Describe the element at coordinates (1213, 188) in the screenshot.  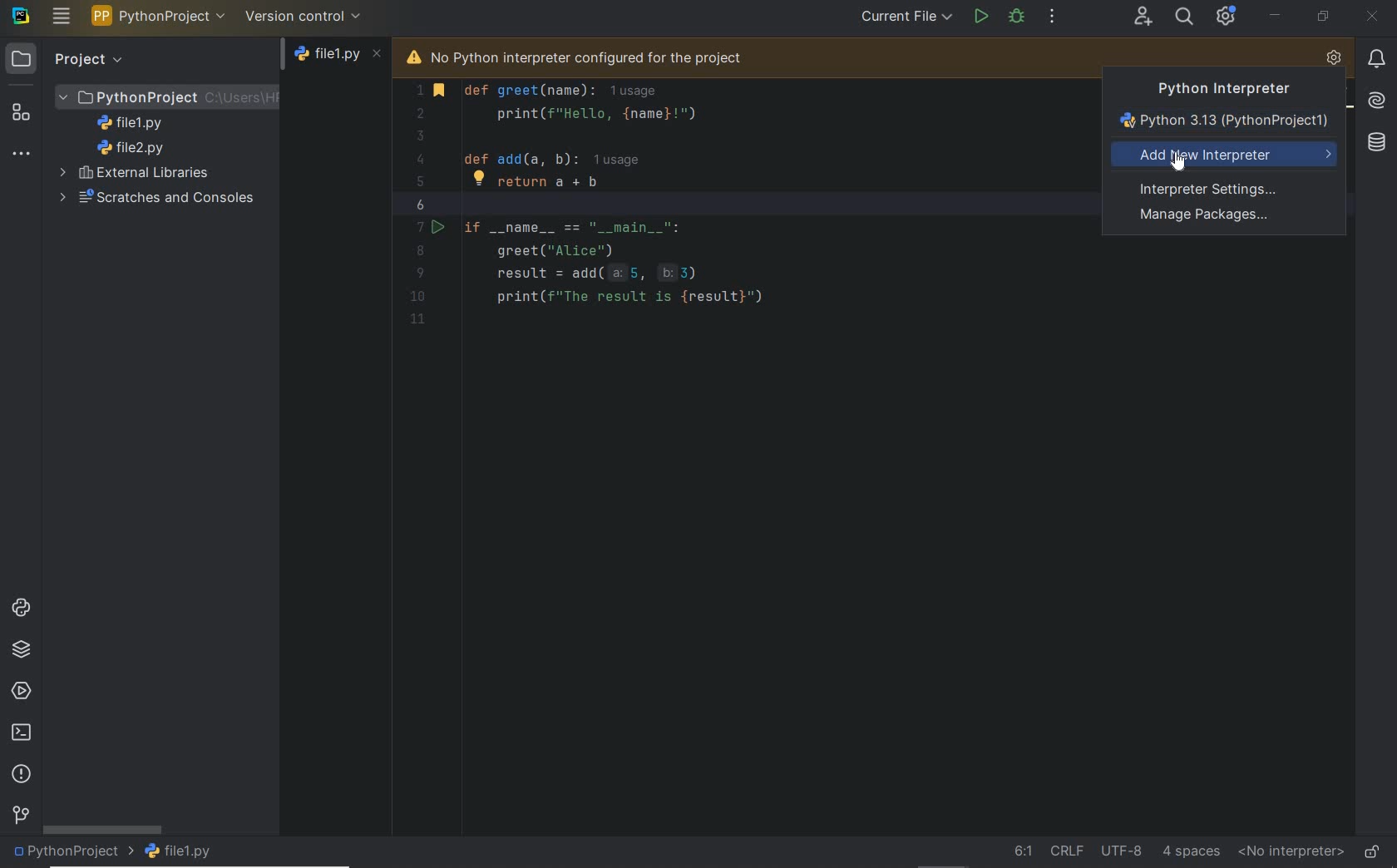
I see `Interpreter Settings` at that location.